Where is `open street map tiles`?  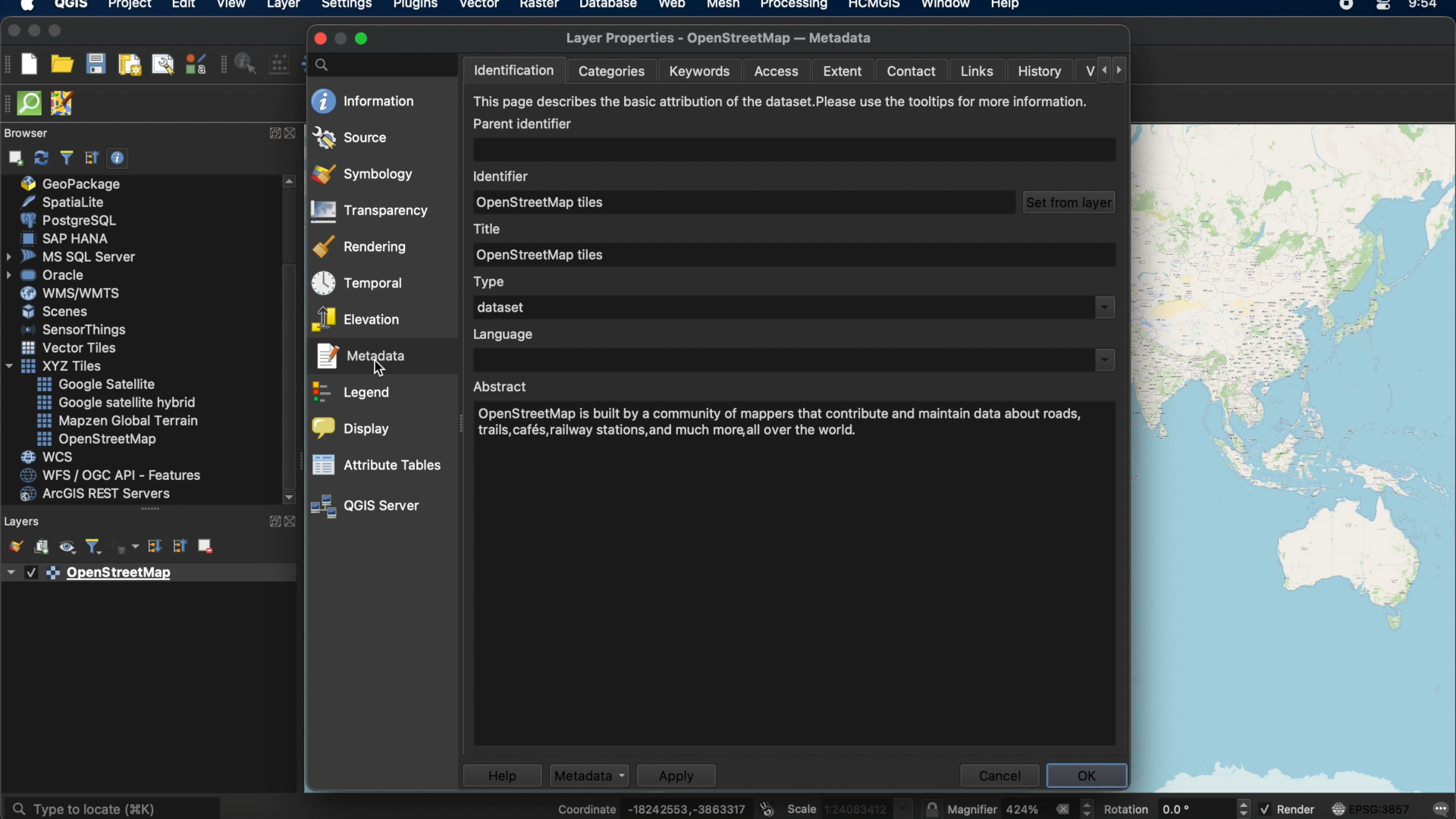
open street map tiles is located at coordinates (542, 253).